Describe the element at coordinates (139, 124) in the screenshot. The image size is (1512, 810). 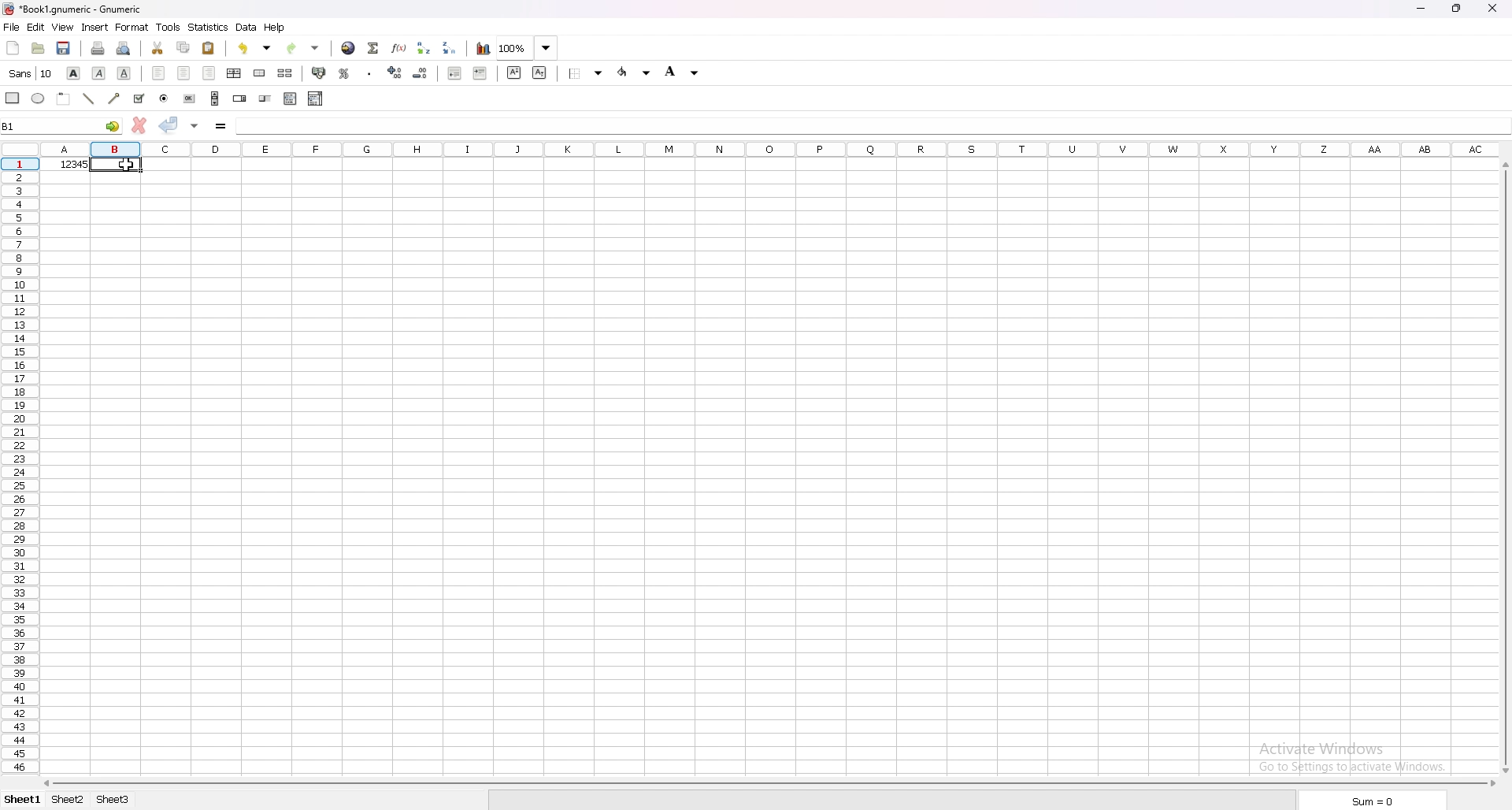
I see `cancel changes` at that location.